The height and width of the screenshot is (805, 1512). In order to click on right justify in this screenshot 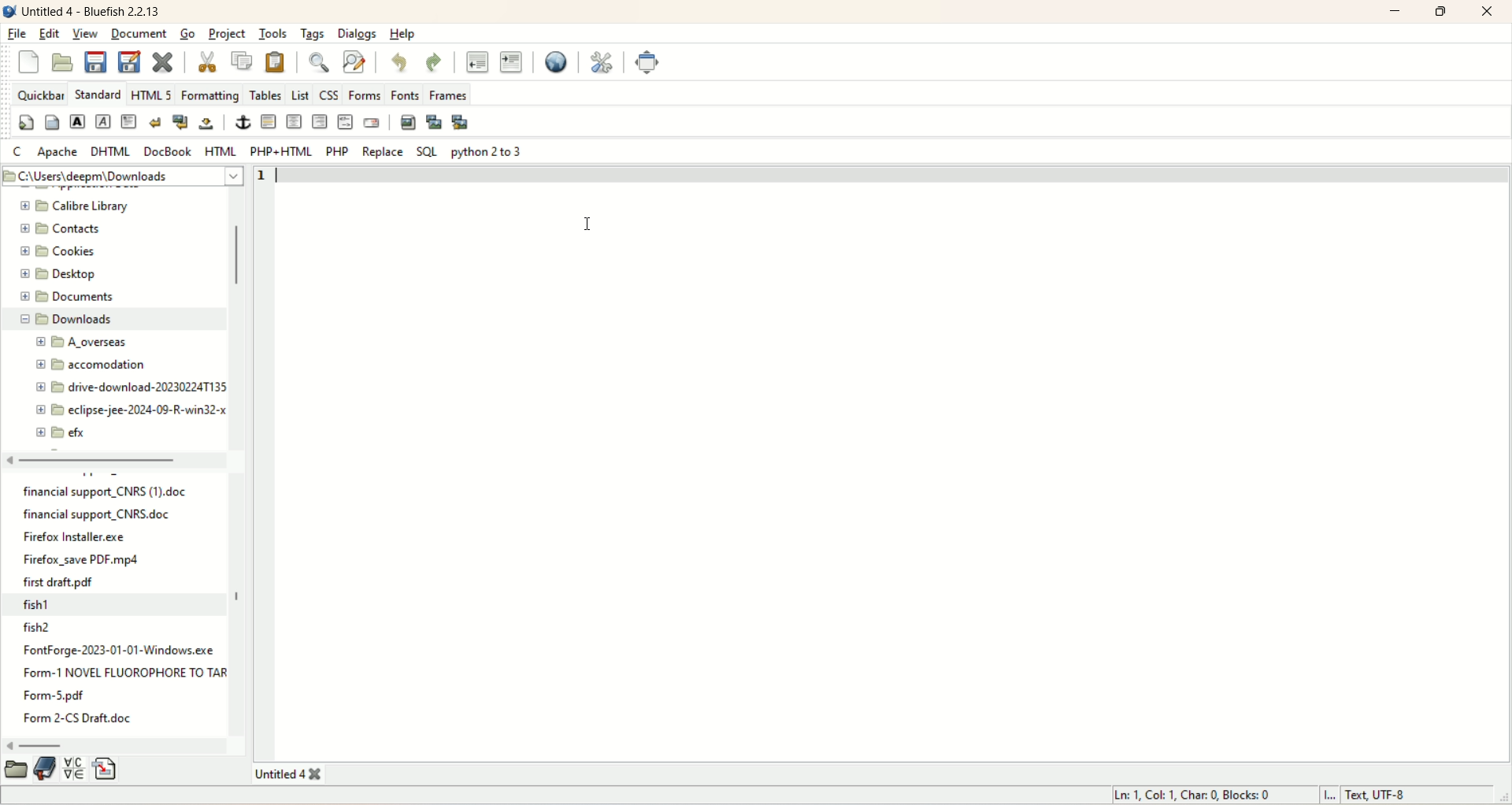, I will do `click(321, 121)`.